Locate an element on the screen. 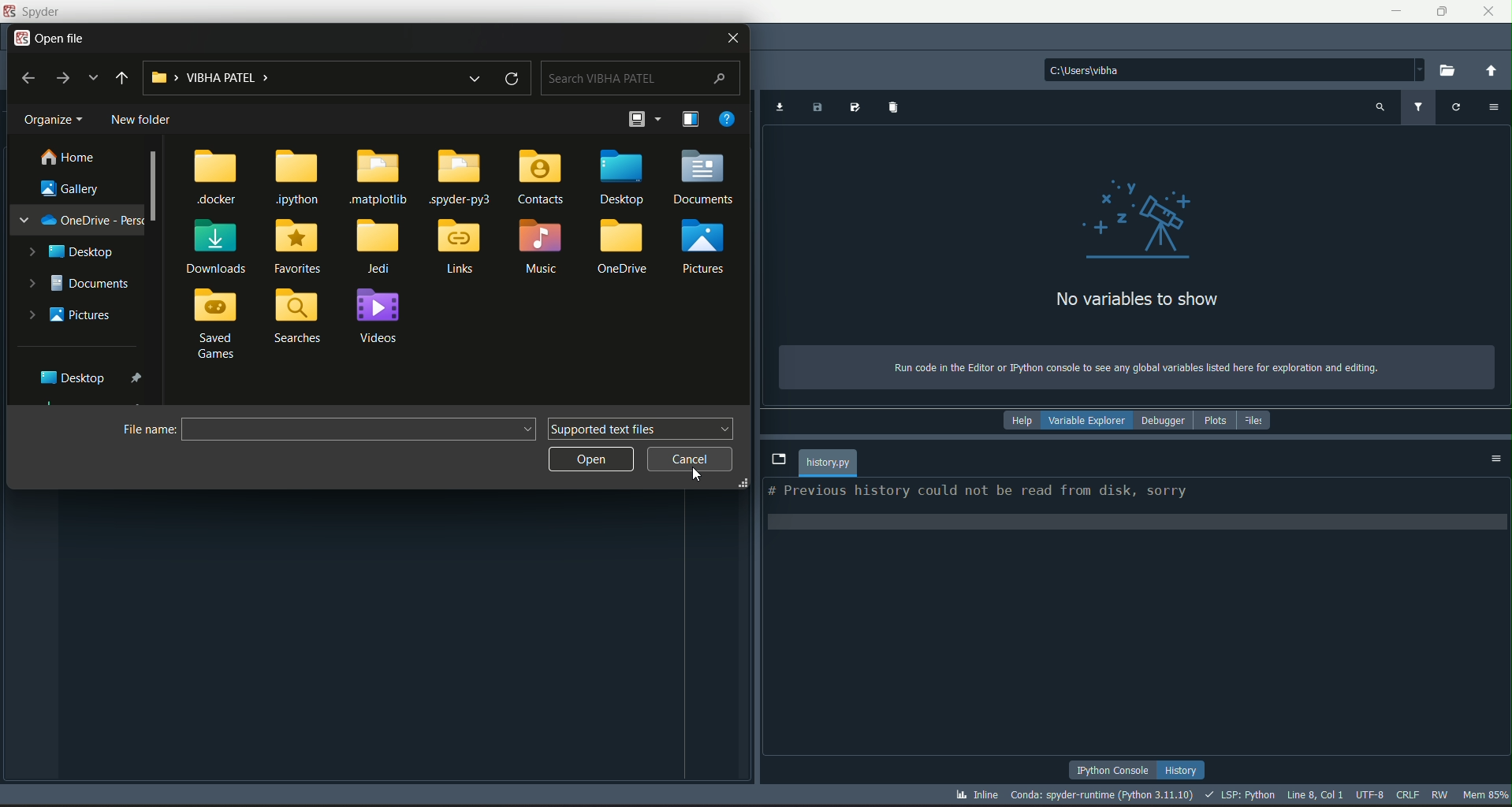 The image size is (1512, 807). documents is located at coordinates (705, 177).